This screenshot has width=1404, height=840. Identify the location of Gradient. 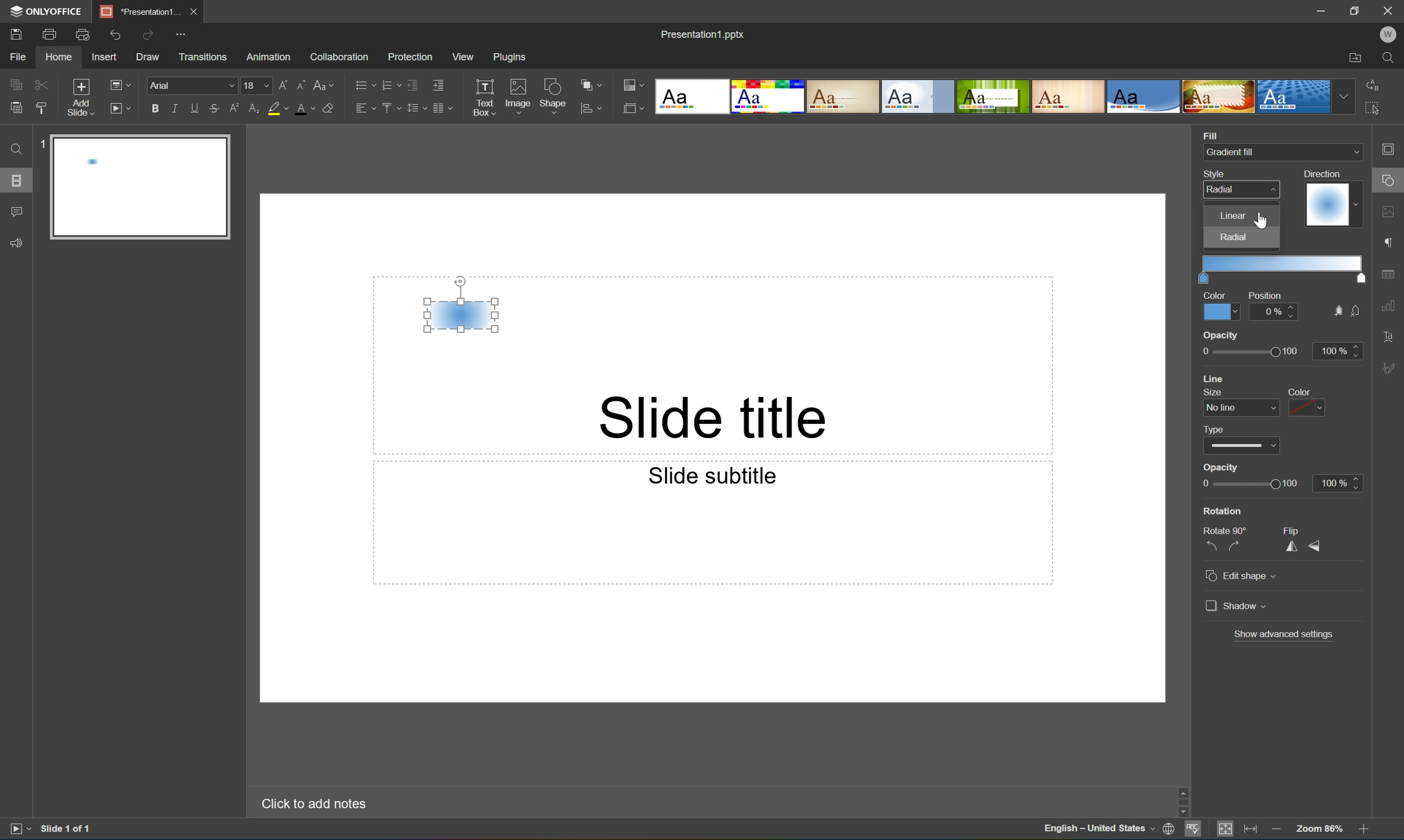
(460, 314).